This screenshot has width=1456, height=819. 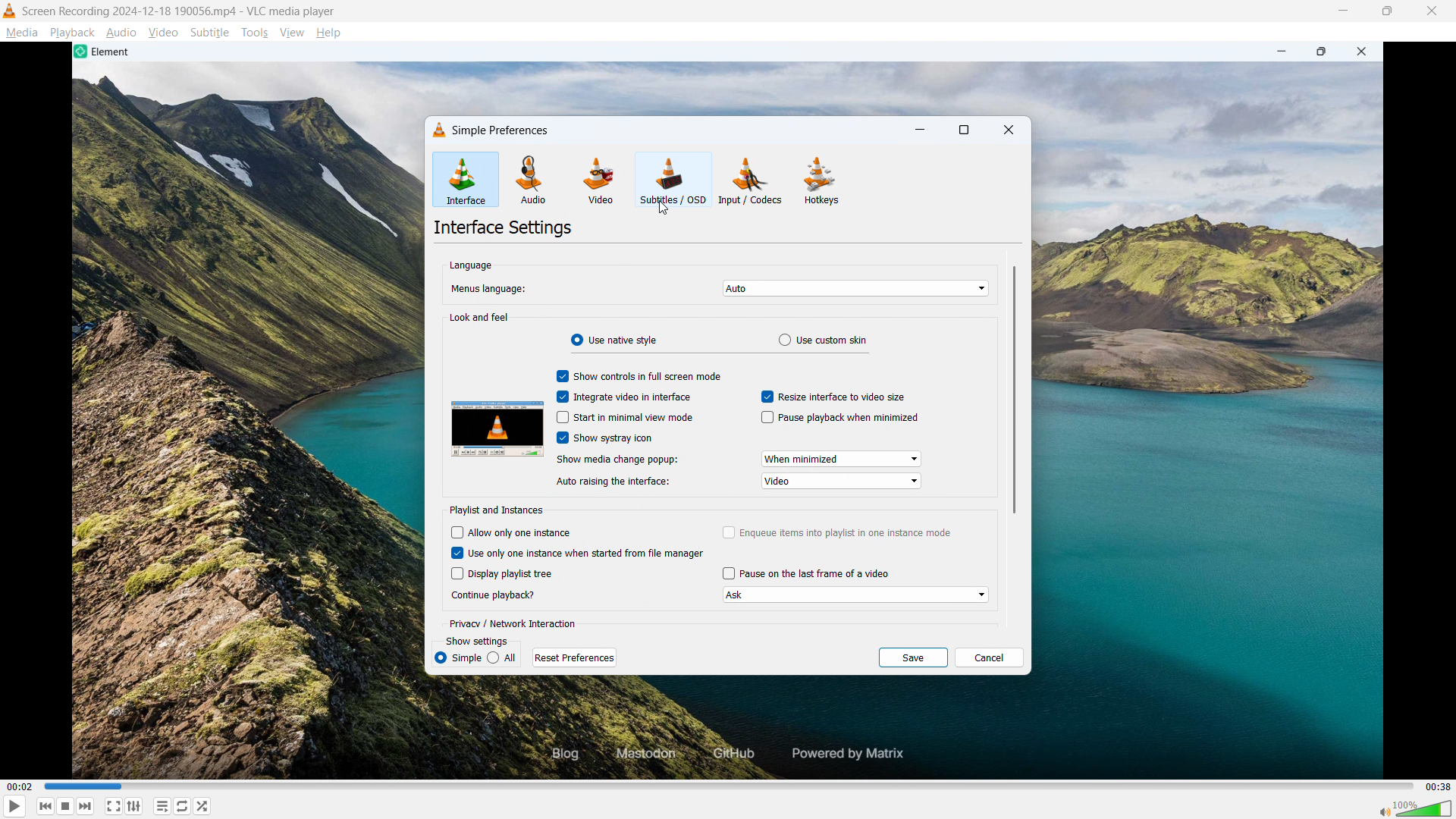 What do you see at coordinates (588, 552) in the screenshot?
I see `use only one instance when started from file manager ` at bounding box center [588, 552].